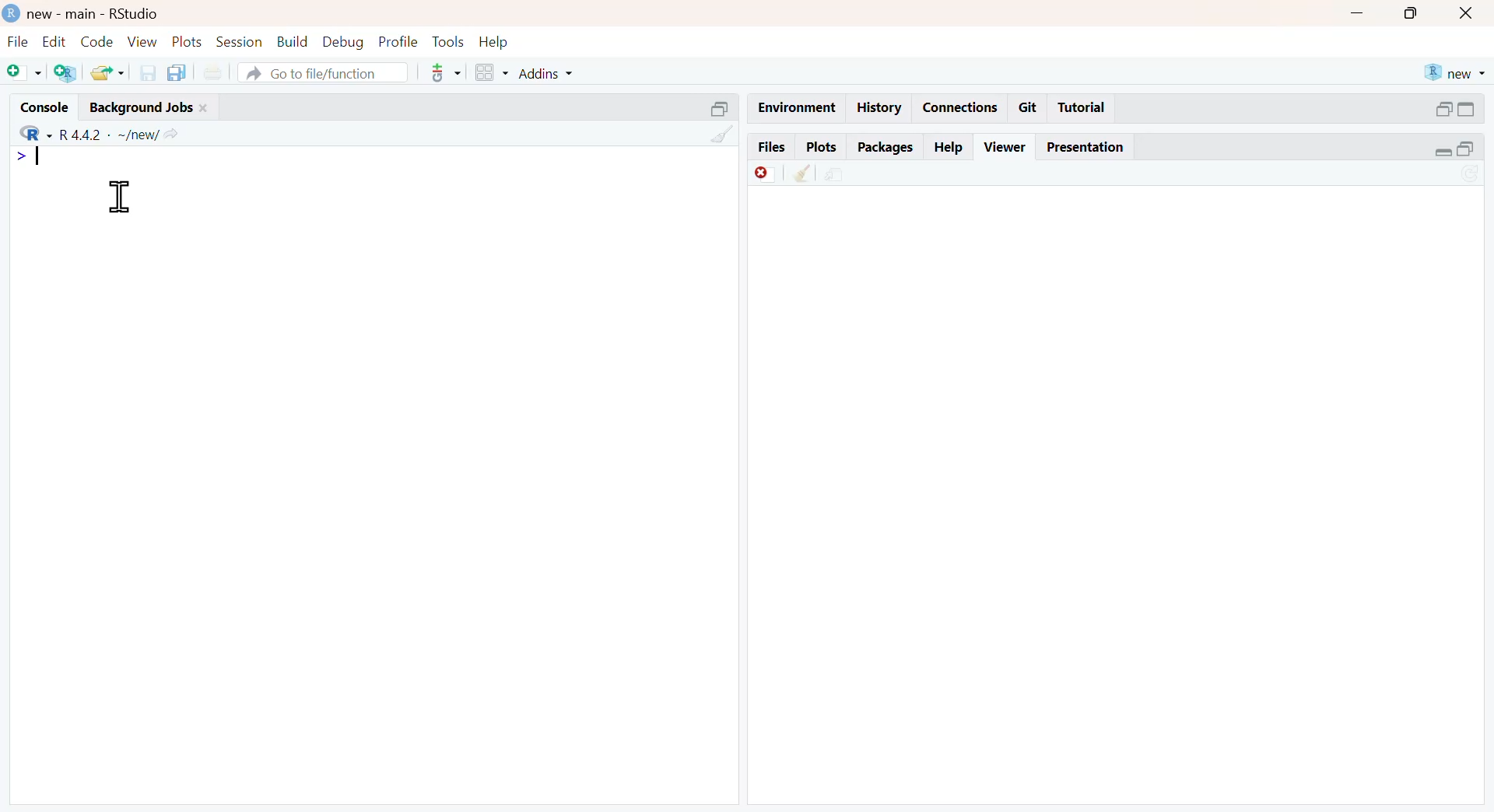 The width and height of the screenshot is (1494, 812). Describe the element at coordinates (54, 40) in the screenshot. I see `edit` at that location.